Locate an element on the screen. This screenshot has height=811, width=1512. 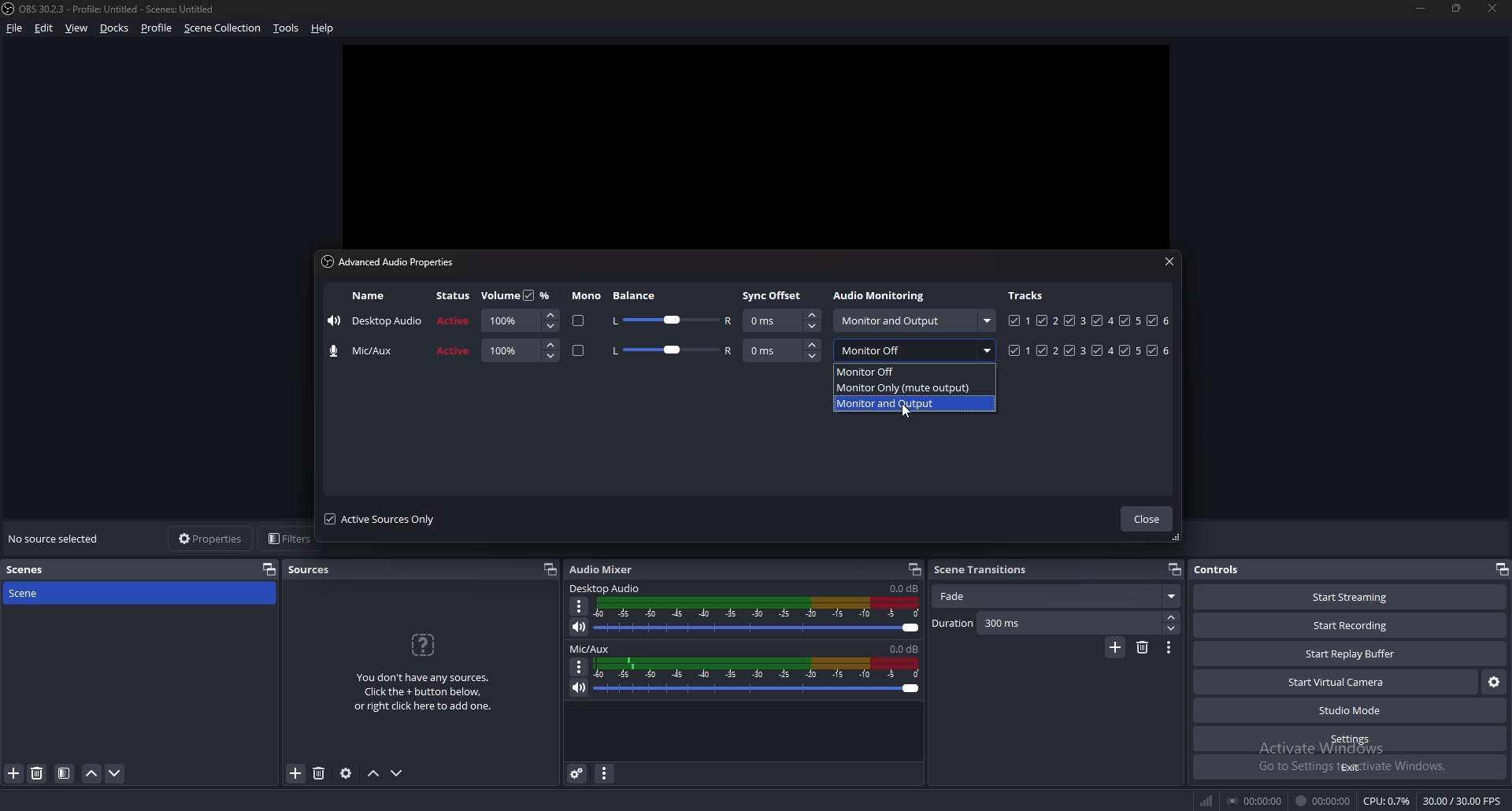
monitor only is located at coordinates (913, 388).